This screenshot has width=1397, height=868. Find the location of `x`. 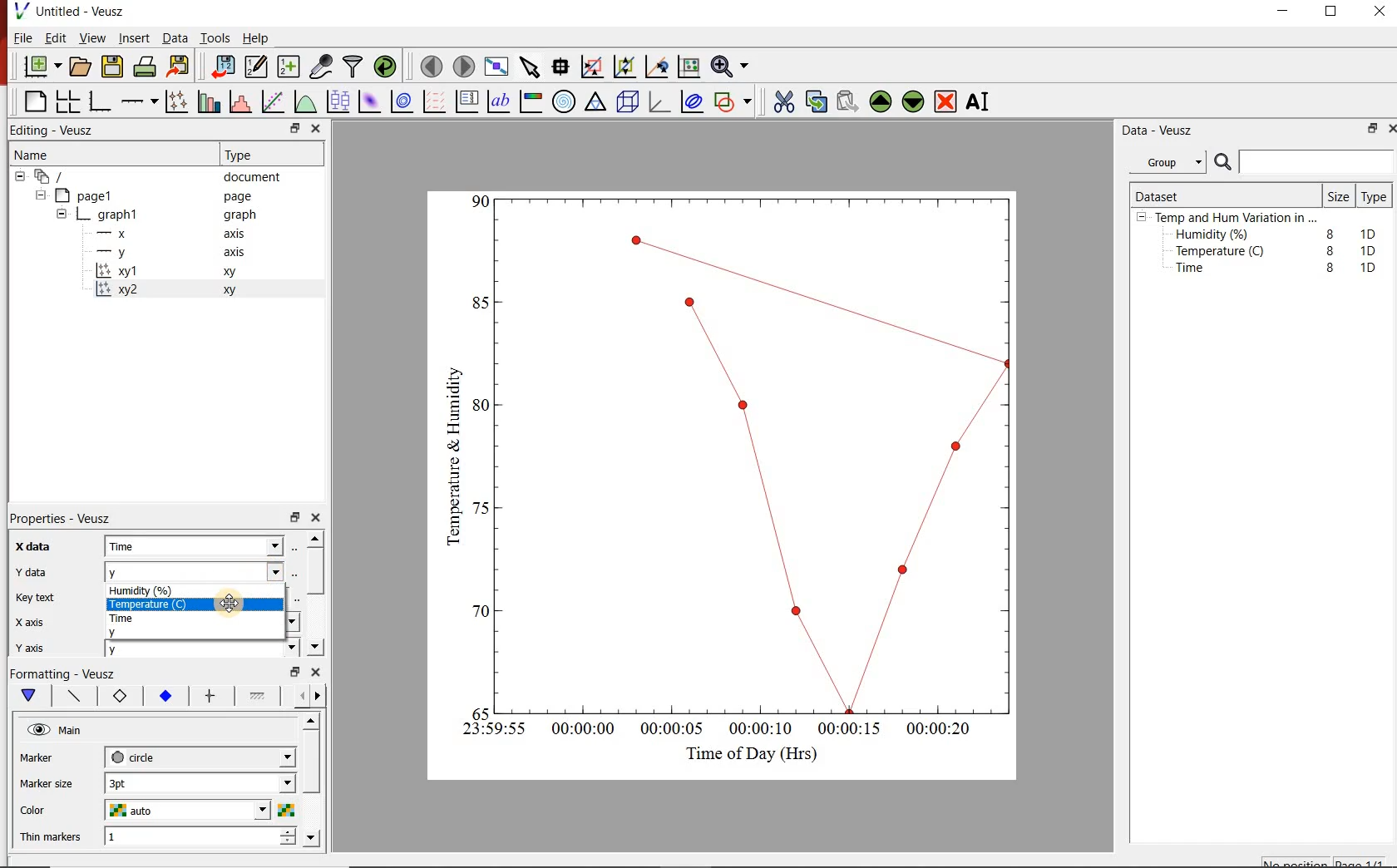

x is located at coordinates (120, 234).